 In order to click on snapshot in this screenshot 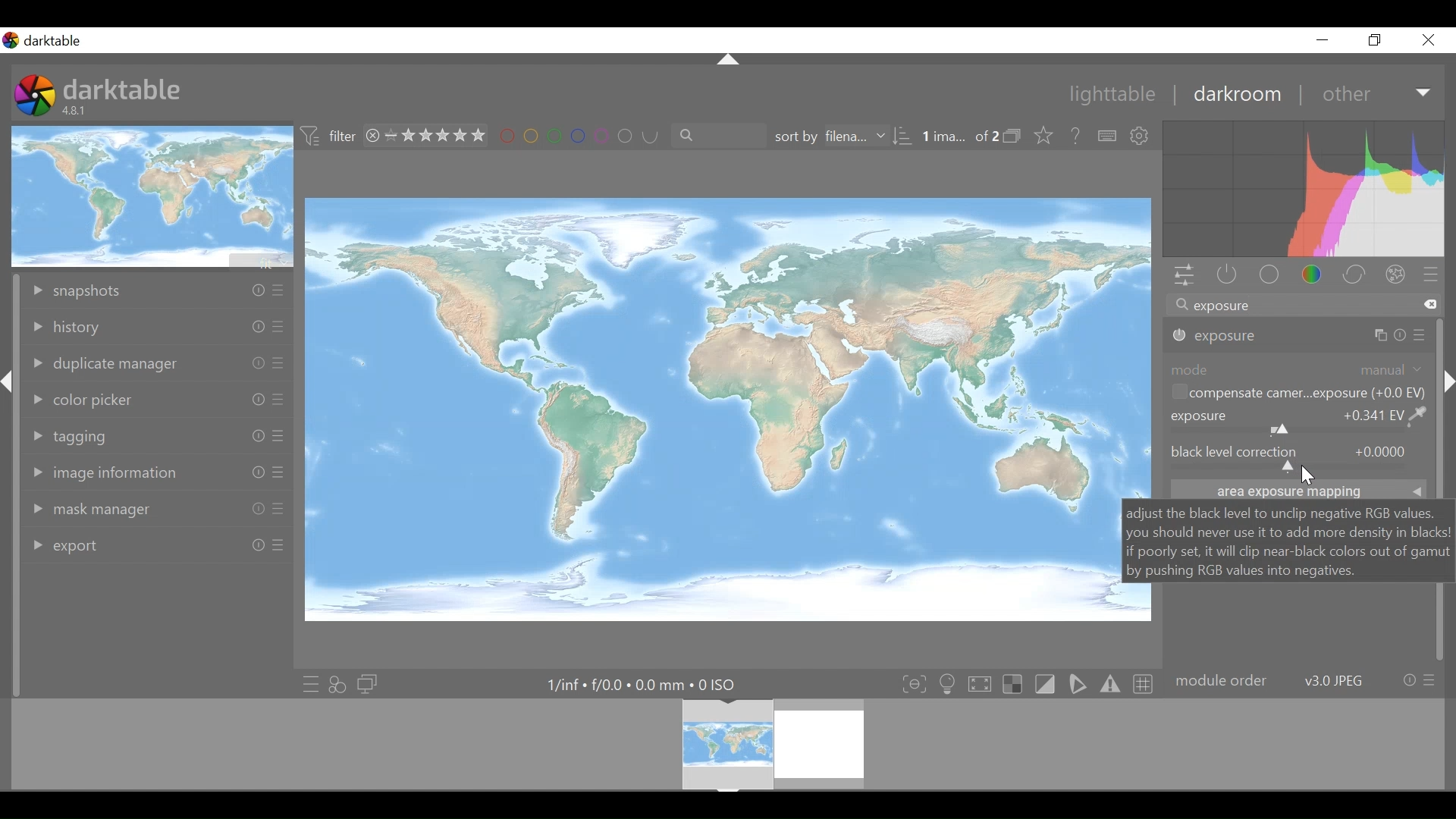, I will do `click(156, 292)`.